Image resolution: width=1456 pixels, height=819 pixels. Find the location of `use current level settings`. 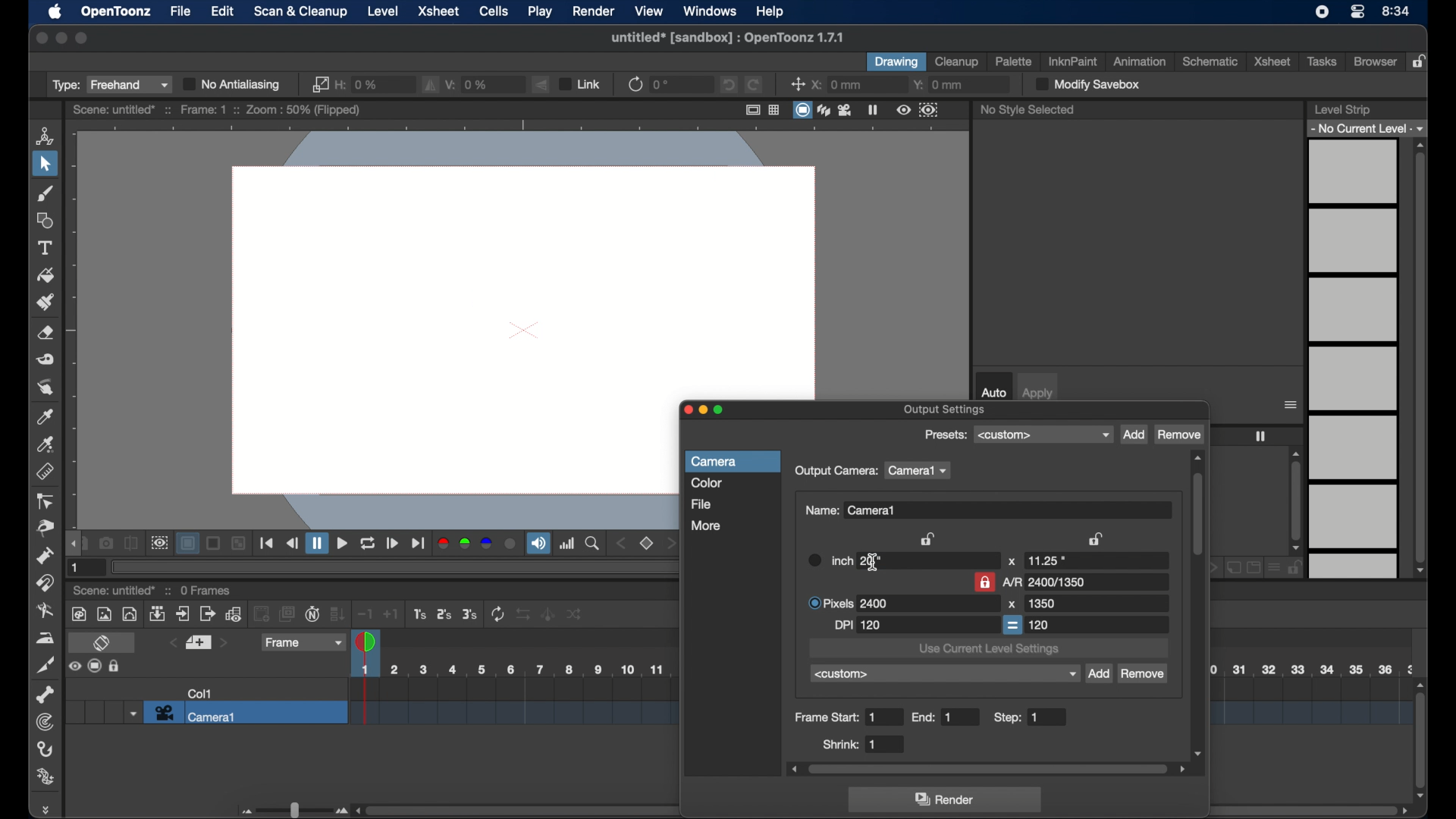

use current level settings is located at coordinates (989, 650).